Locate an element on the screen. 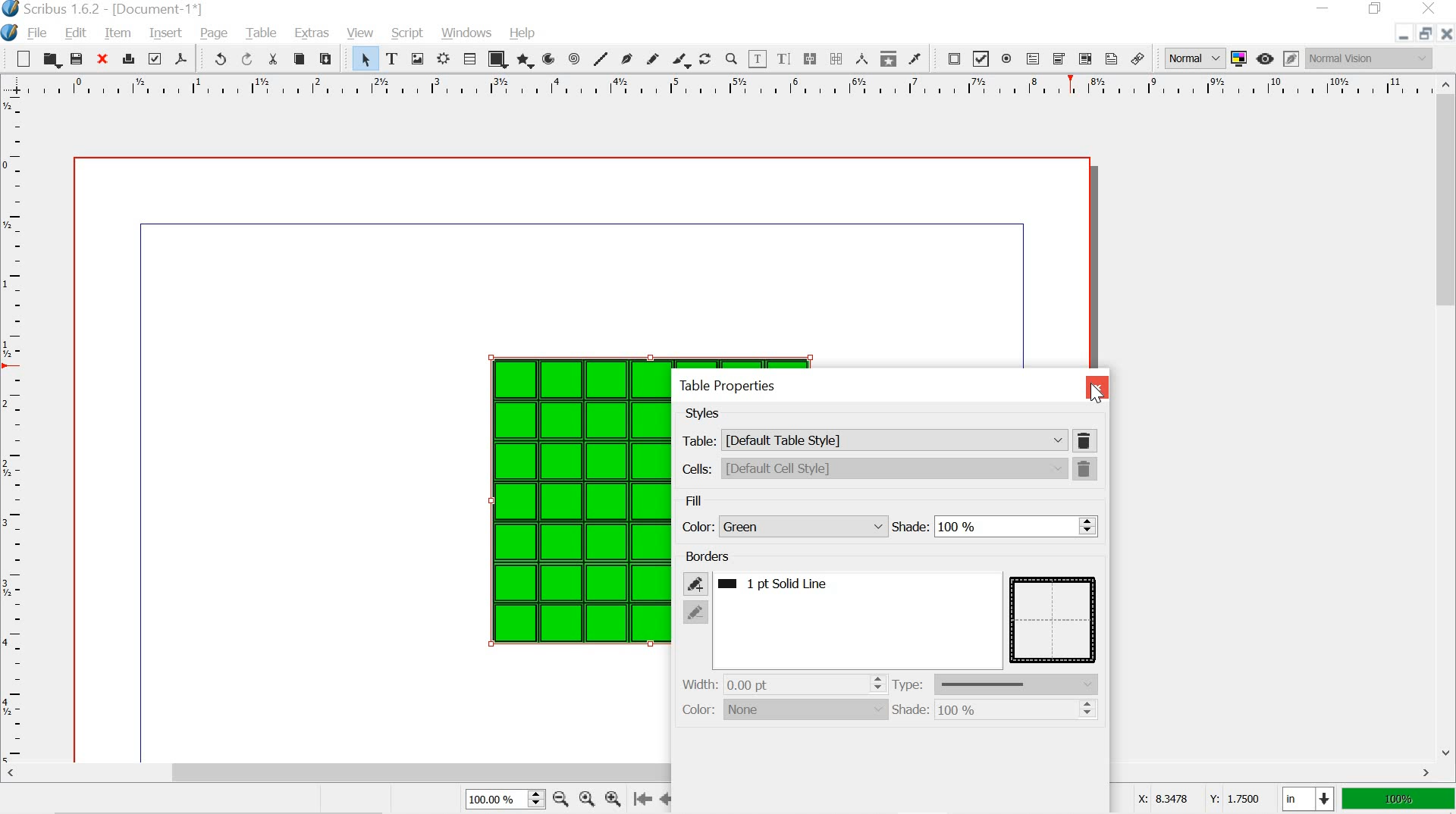 The height and width of the screenshot is (814, 1456). measurements is located at coordinates (863, 58).